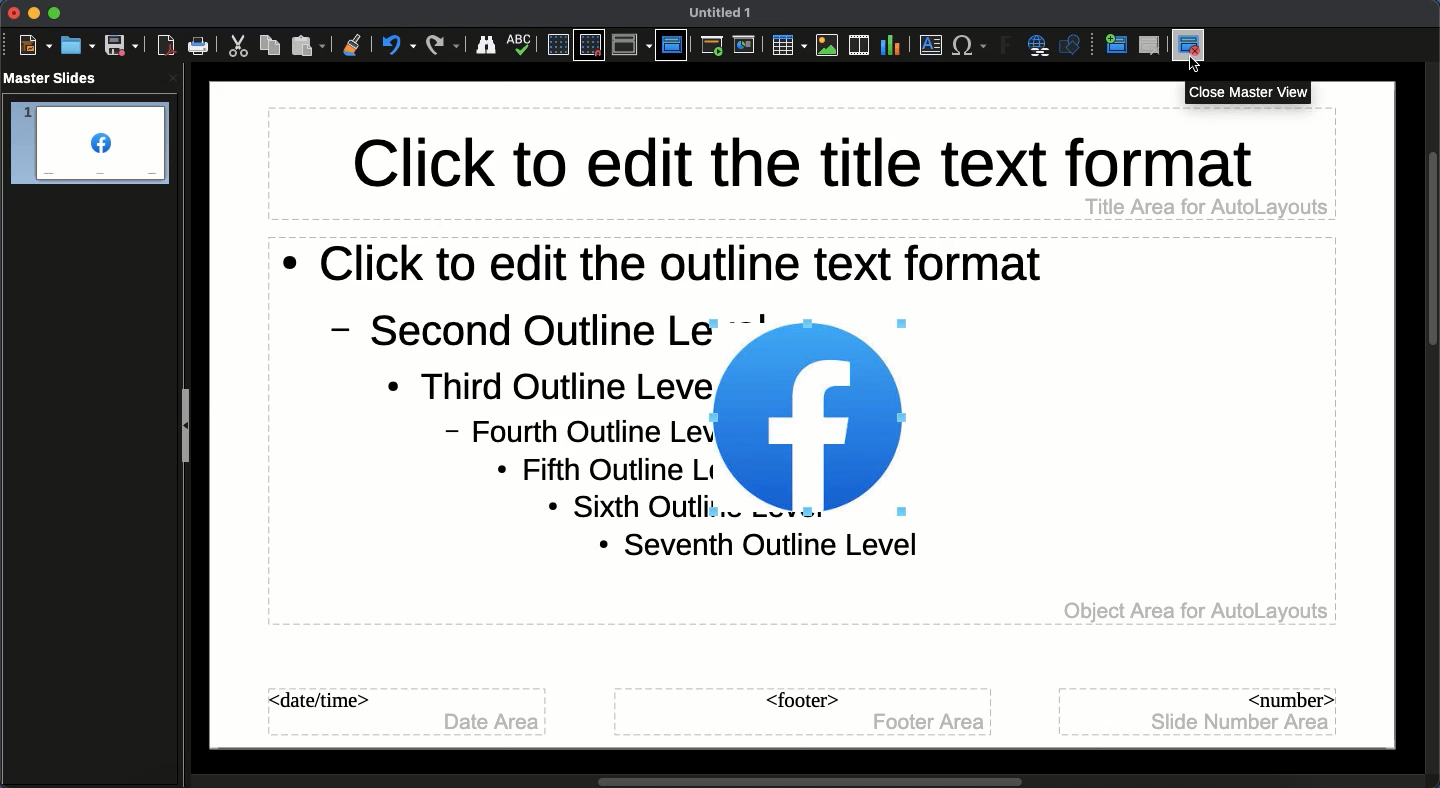 The height and width of the screenshot is (788, 1440). Describe the element at coordinates (444, 45) in the screenshot. I see `Redo` at that location.